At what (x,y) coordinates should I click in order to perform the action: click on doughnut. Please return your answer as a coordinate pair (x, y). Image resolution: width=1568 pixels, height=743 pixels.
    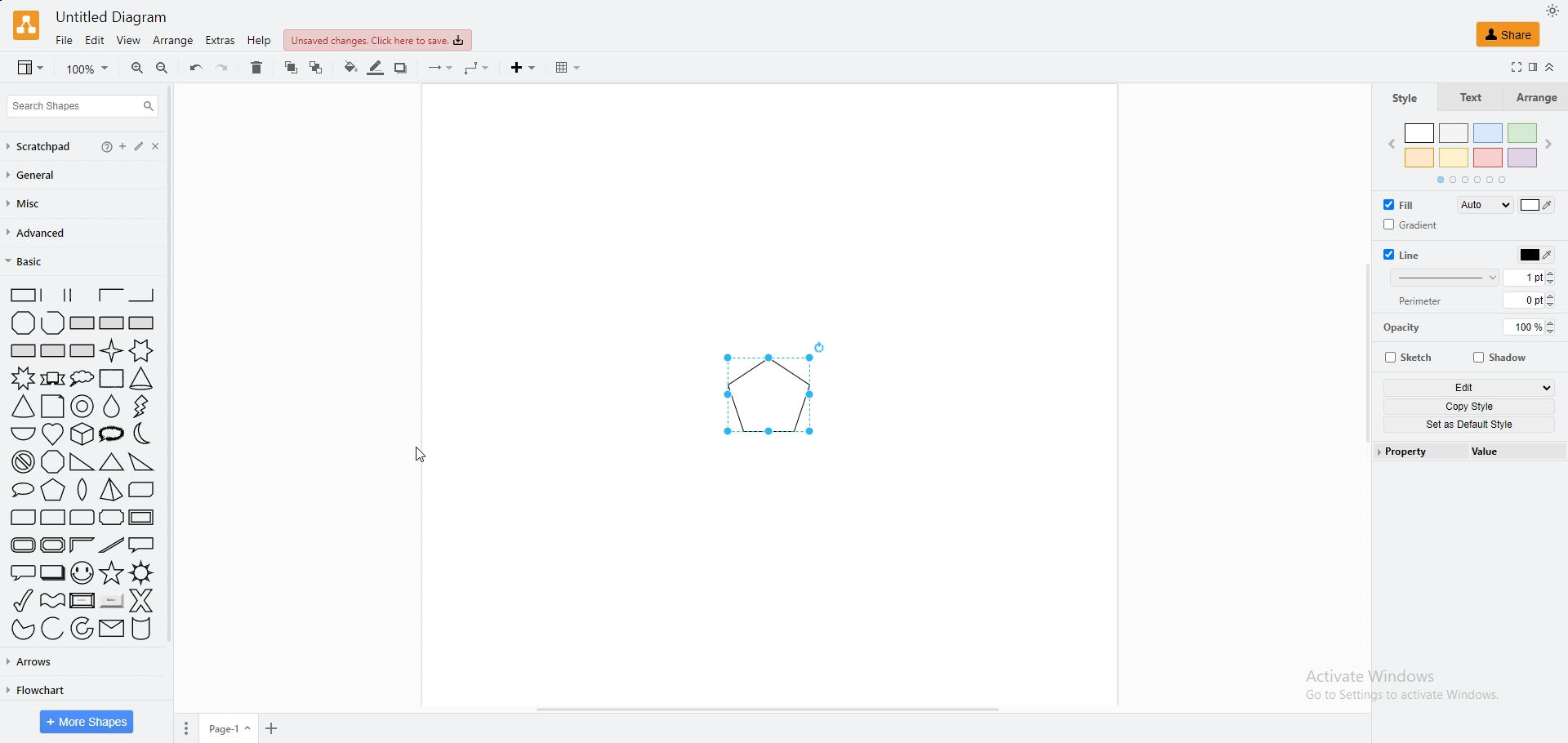
    Looking at the image, I should click on (83, 407).